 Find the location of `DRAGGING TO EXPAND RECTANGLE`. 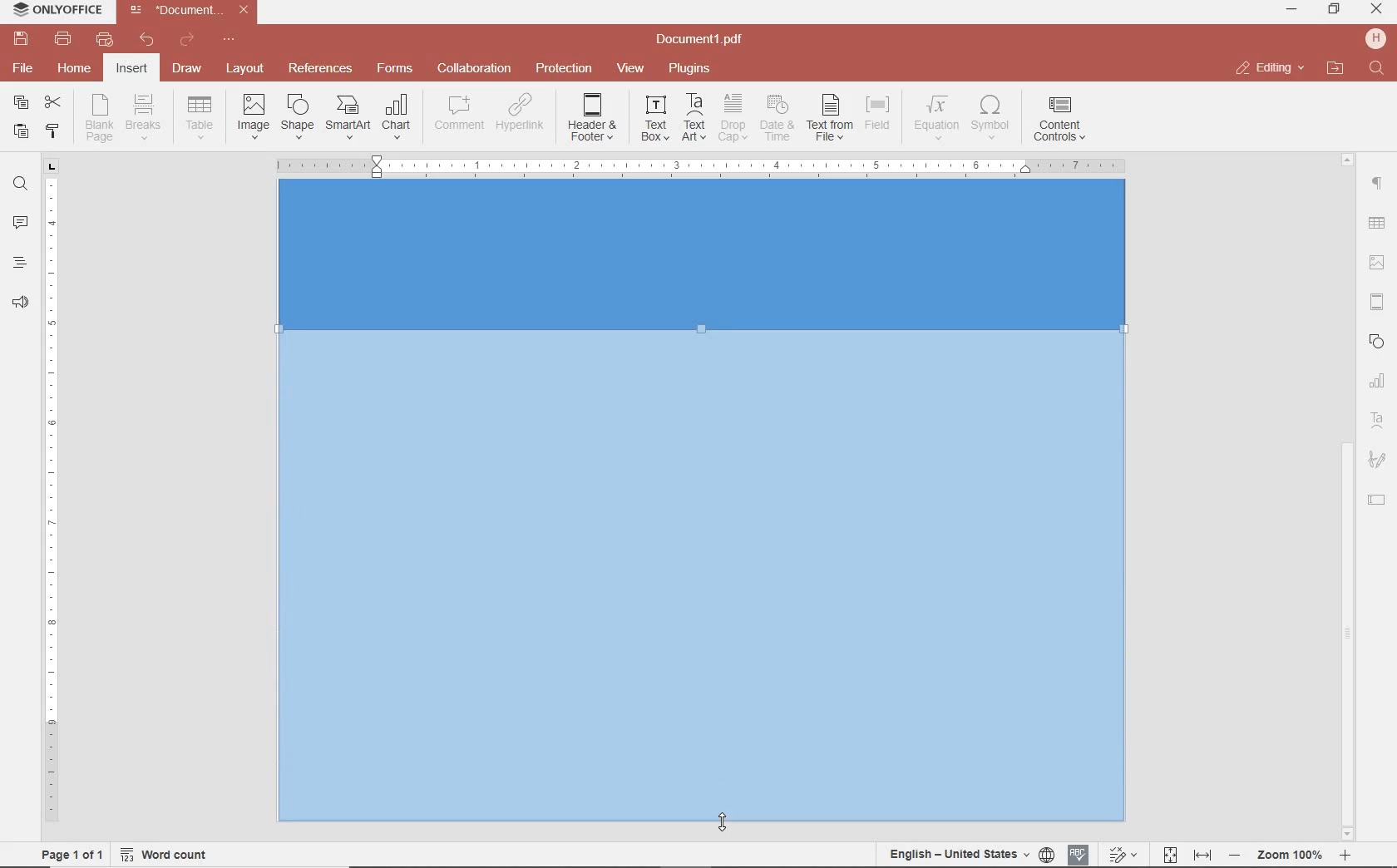

DRAGGING TO EXPAND RECTANGLE is located at coordinates (706, 584).